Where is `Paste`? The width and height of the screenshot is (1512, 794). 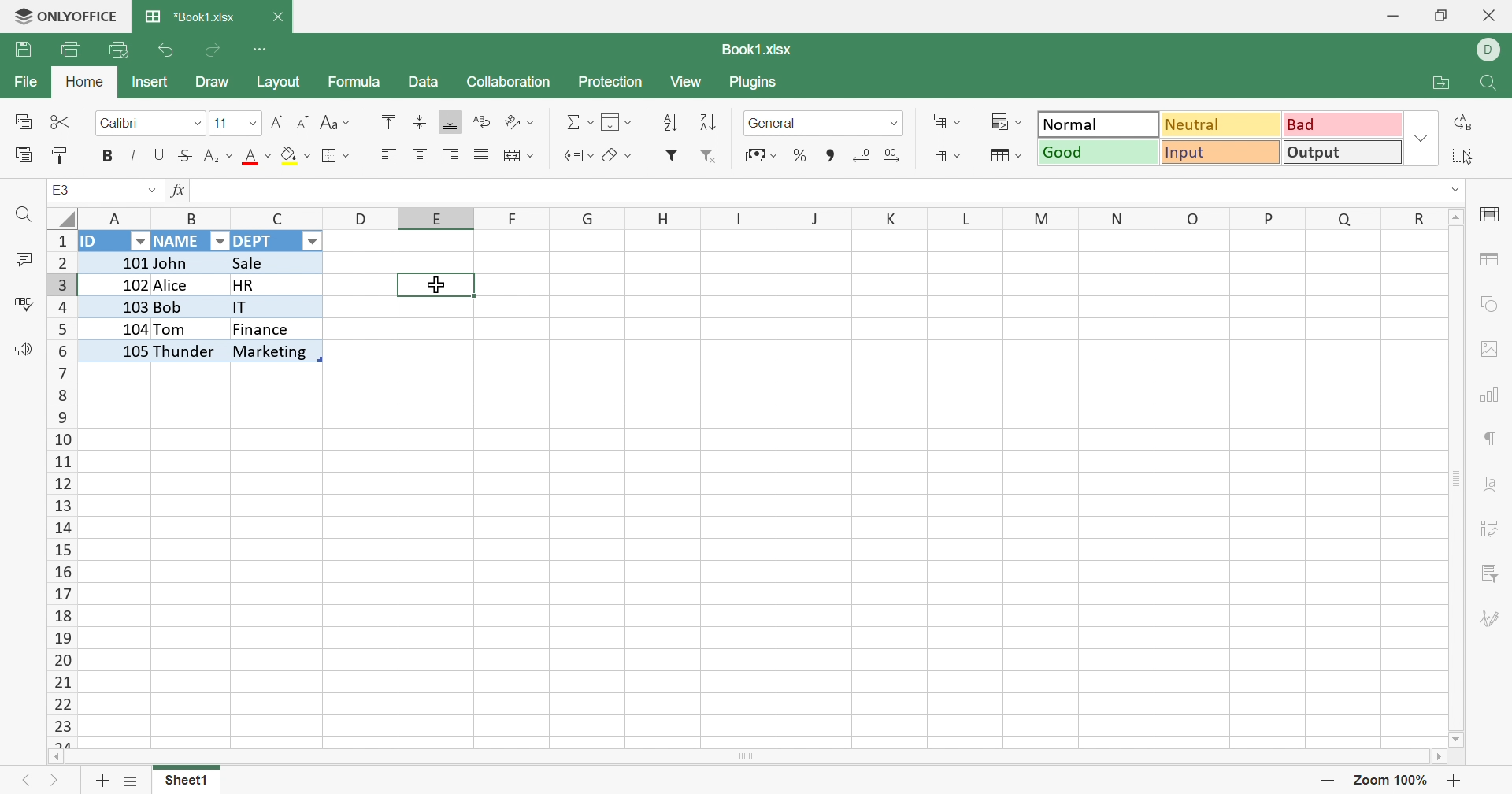
Paste is located at coordinates (22, 154).